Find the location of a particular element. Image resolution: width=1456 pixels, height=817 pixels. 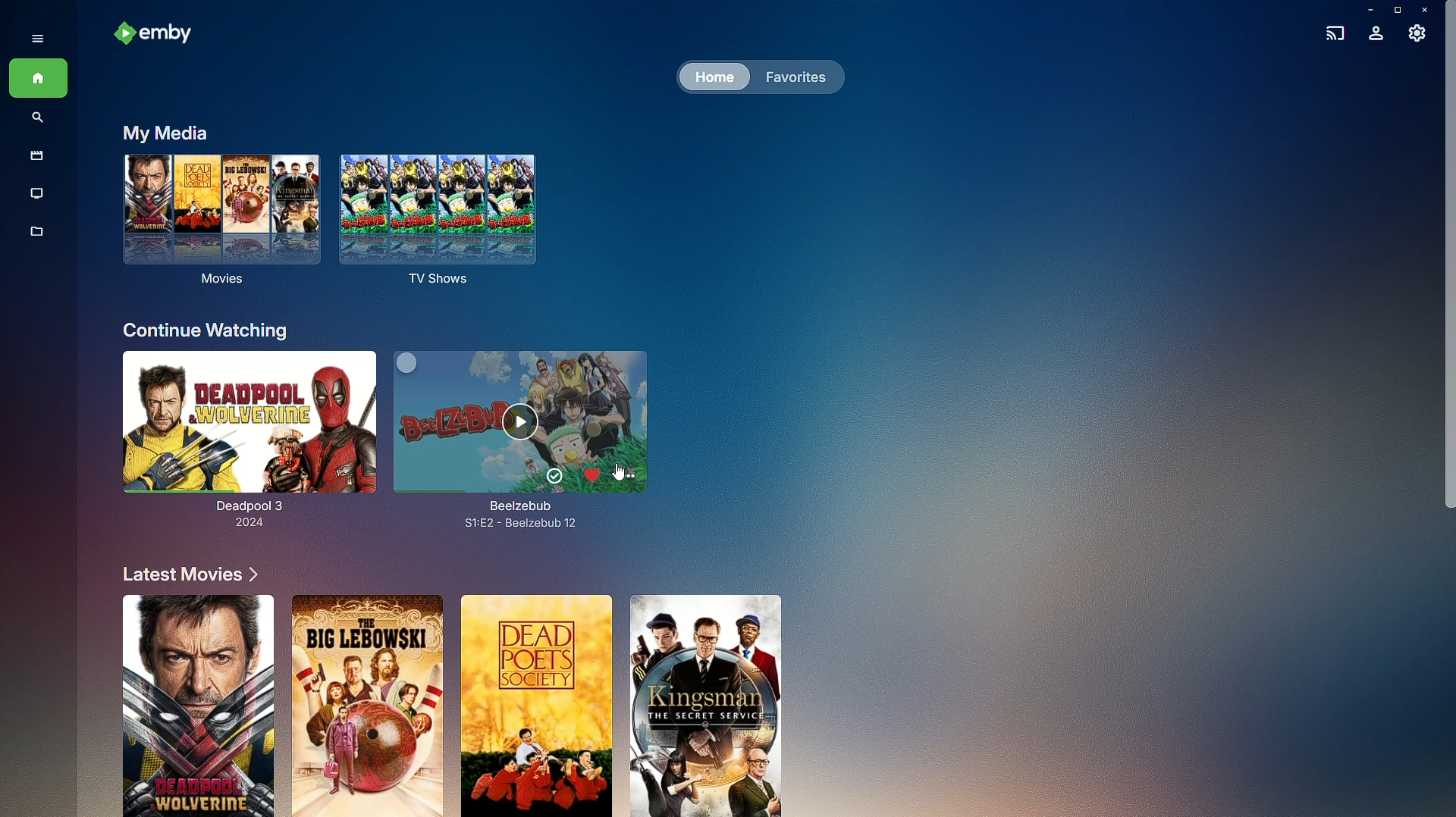

Home is located at coordinates (38, 80).